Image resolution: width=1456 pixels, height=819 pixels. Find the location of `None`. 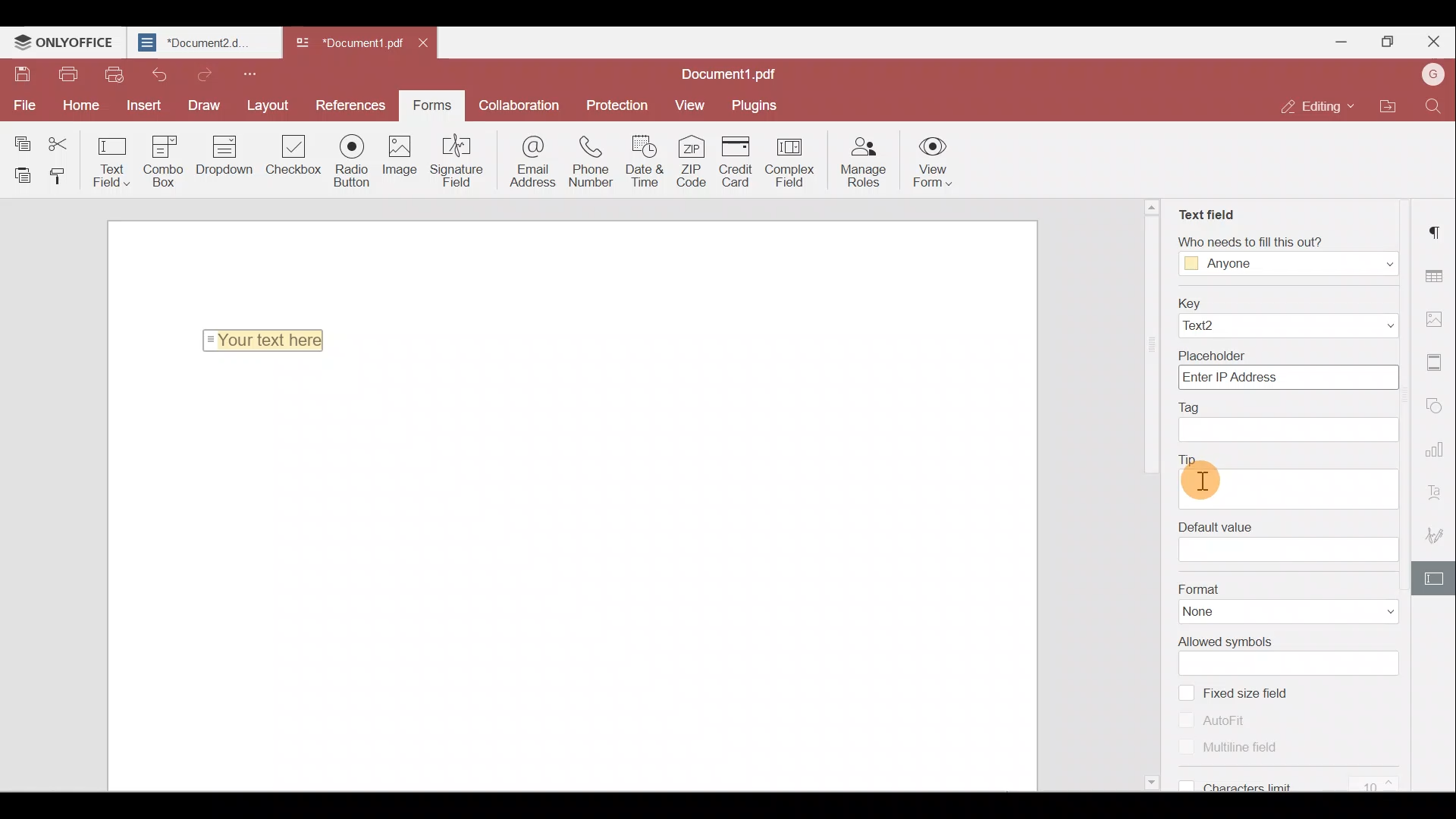

None is located at coordinates (1221, 613).